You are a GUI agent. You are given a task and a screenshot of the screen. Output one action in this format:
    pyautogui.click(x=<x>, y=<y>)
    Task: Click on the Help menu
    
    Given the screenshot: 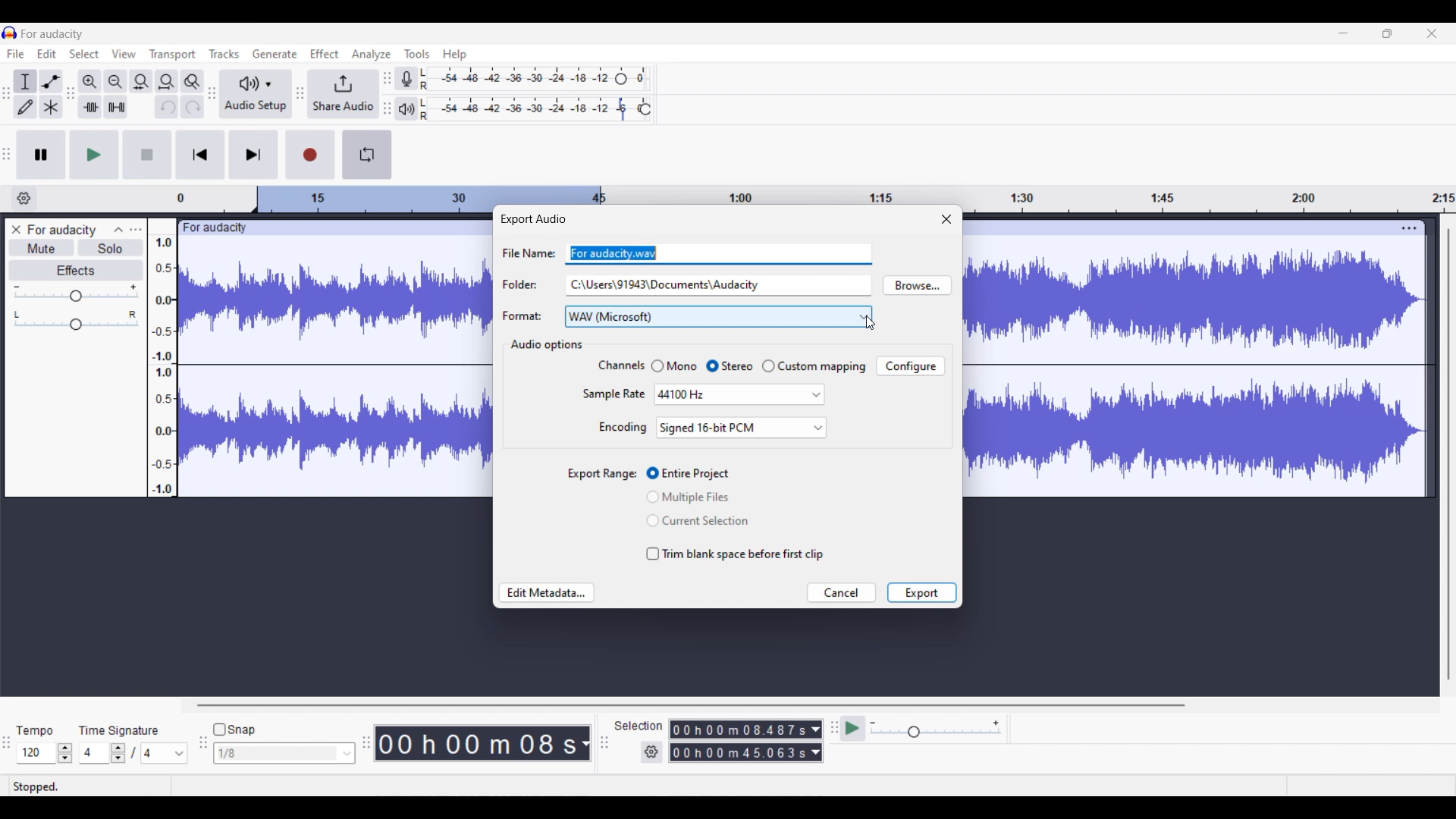 What is the action you would take?
    pyautogui.click(x=455, y=55)
    